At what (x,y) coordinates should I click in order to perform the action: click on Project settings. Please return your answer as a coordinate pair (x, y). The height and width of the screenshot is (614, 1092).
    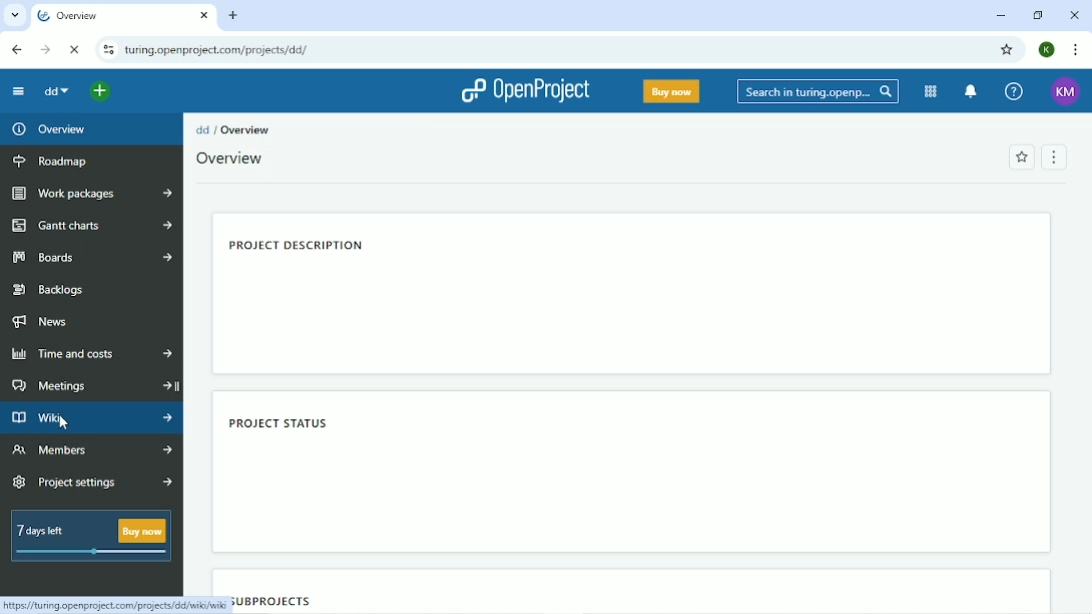
    Looking at the image, I should click on (92, 483).